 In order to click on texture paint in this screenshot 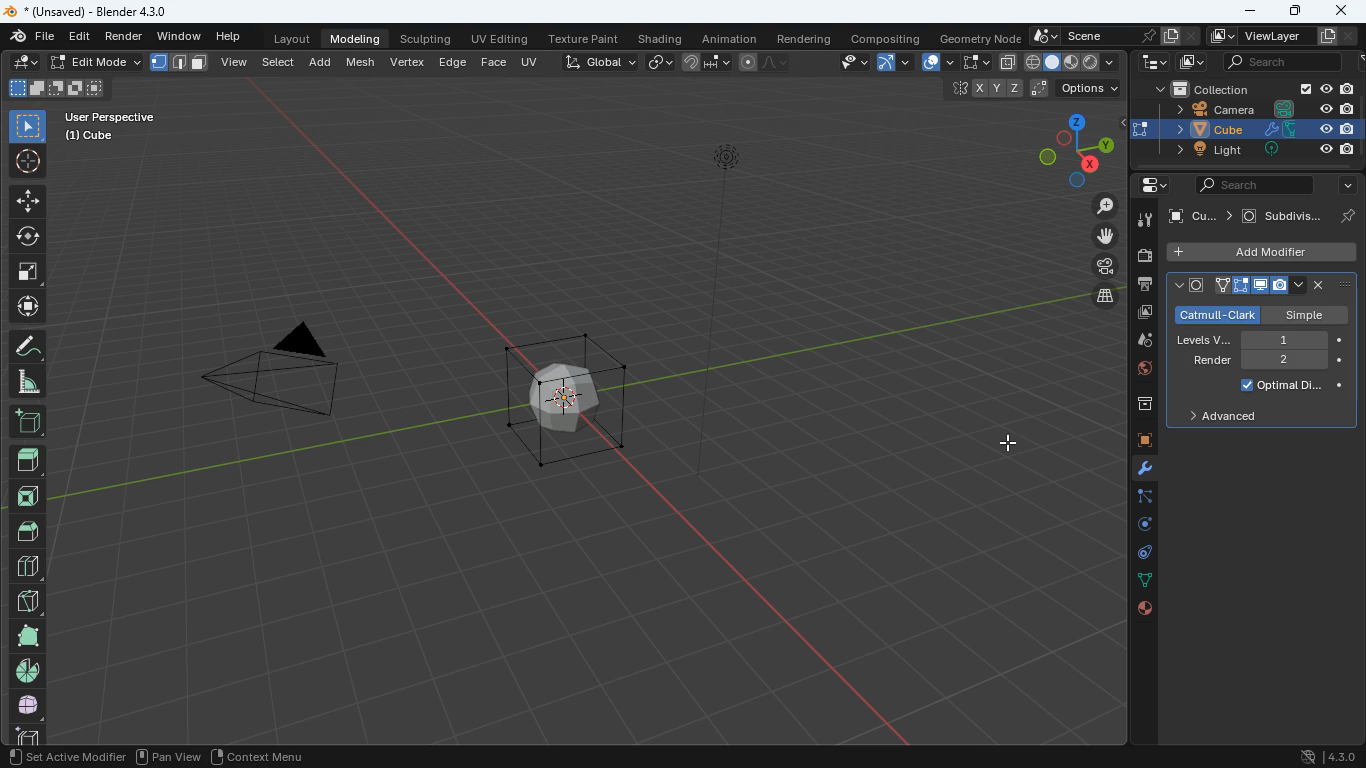, I will do `click(586, 38)`.